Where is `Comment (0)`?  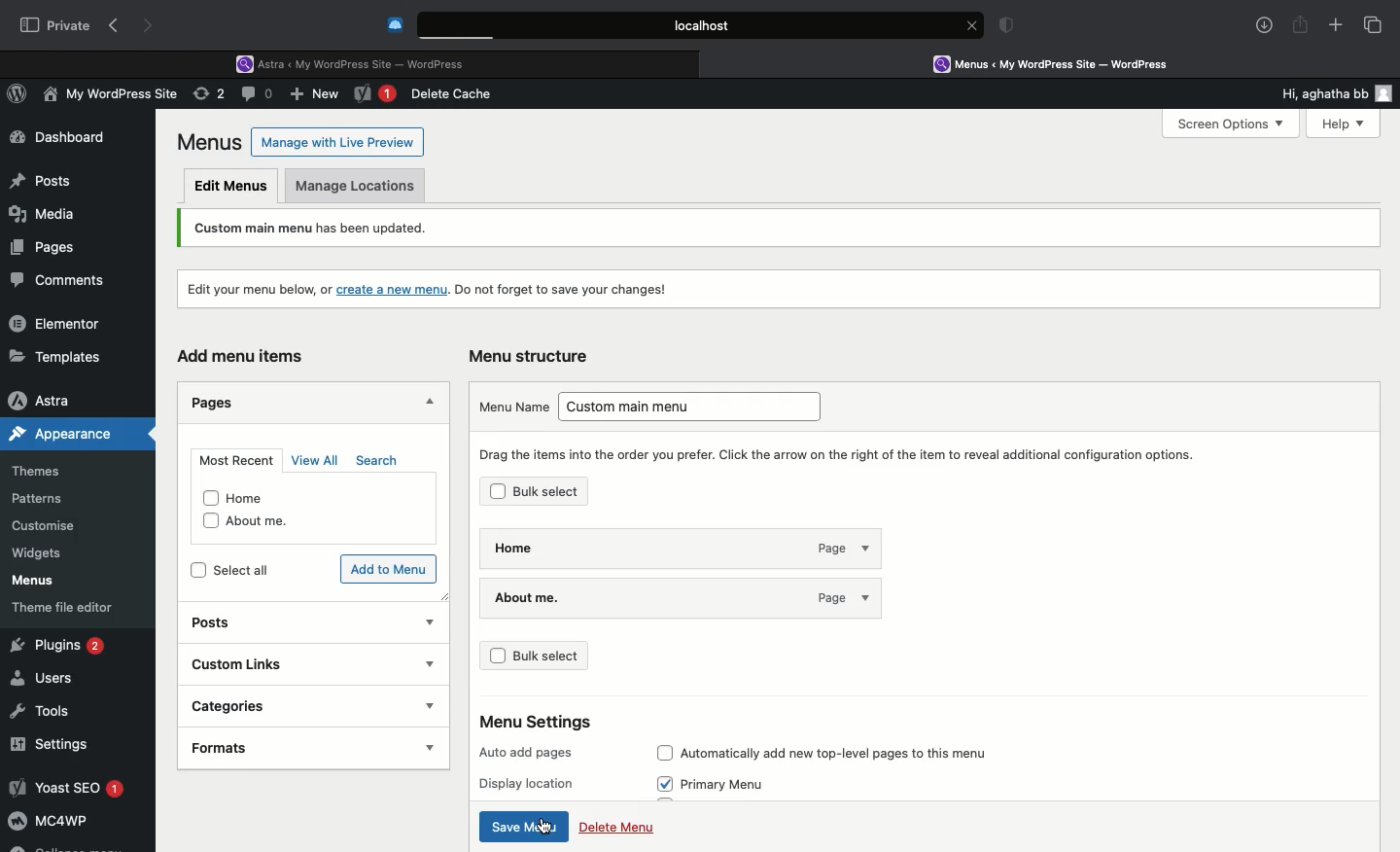
Comment (0) is located at coordinates (260, 93).